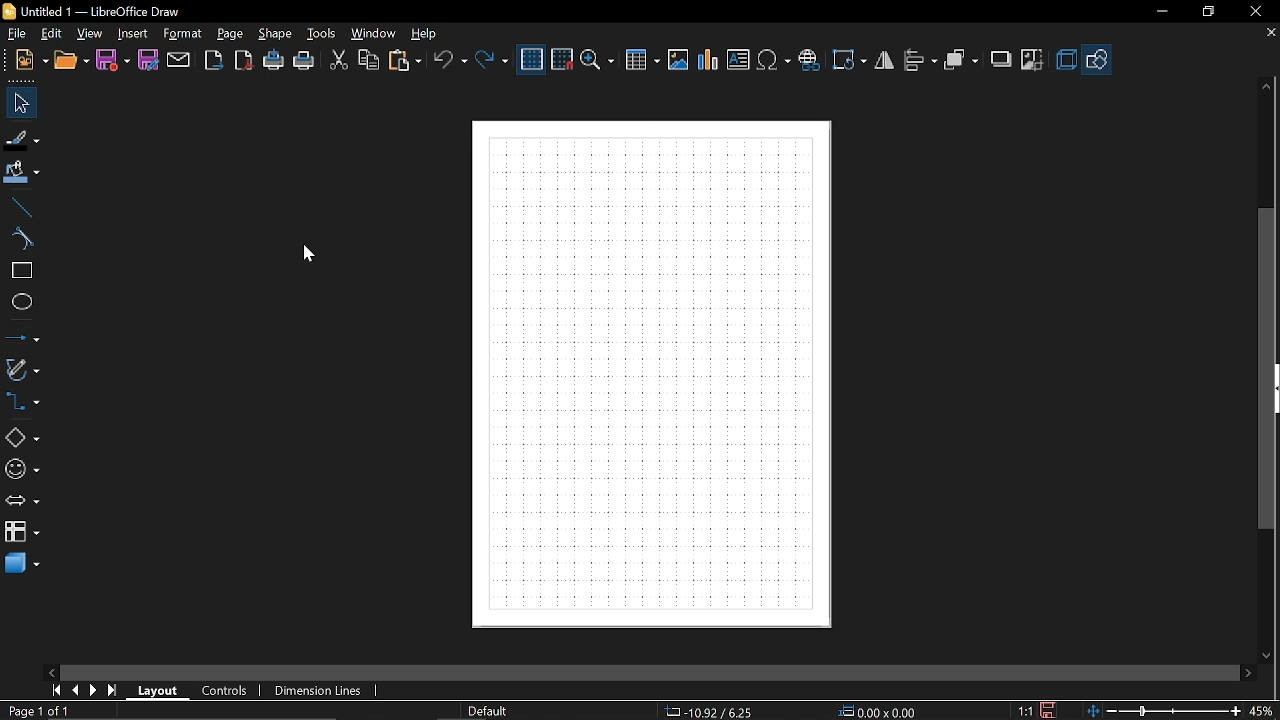 This screenshot has width=1280, height=720. Describe the element at coordinates (710, 60) in the screenshot. I see `insert chart` at that location.